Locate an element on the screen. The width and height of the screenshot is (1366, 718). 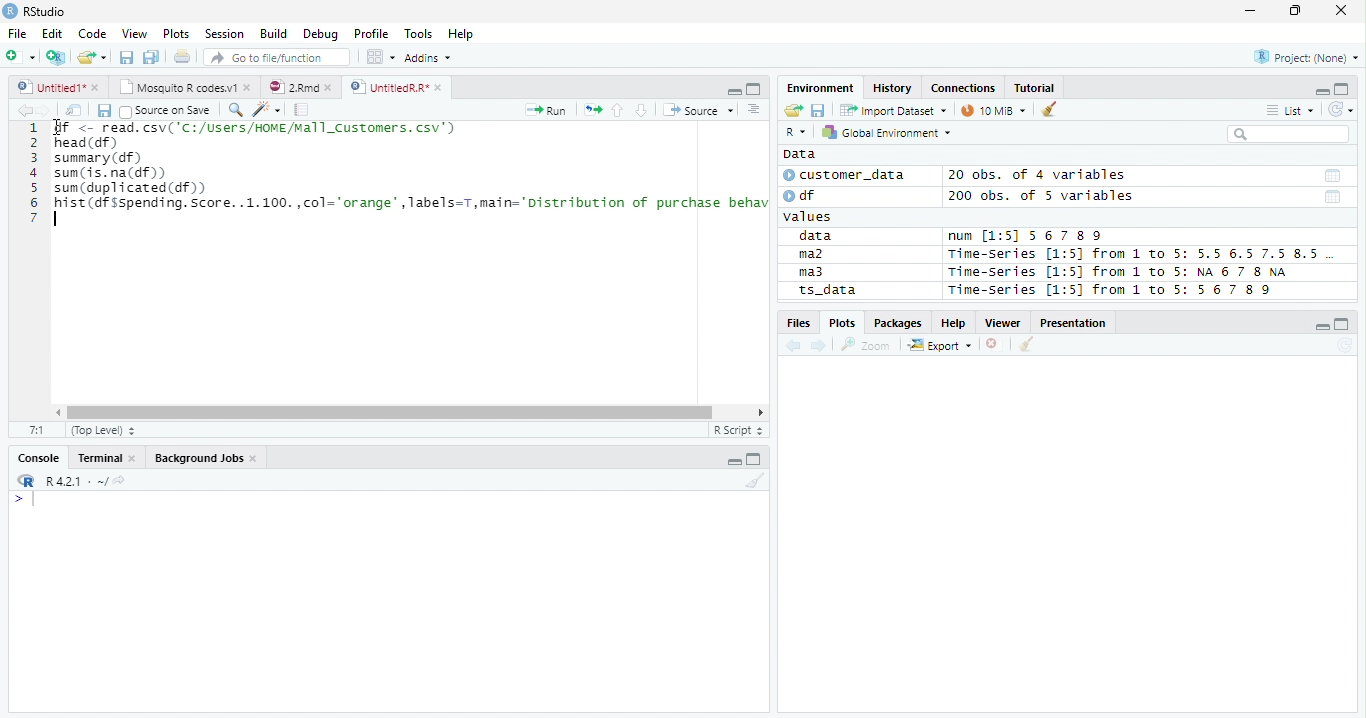
R script is located at coordinates (737, 430).